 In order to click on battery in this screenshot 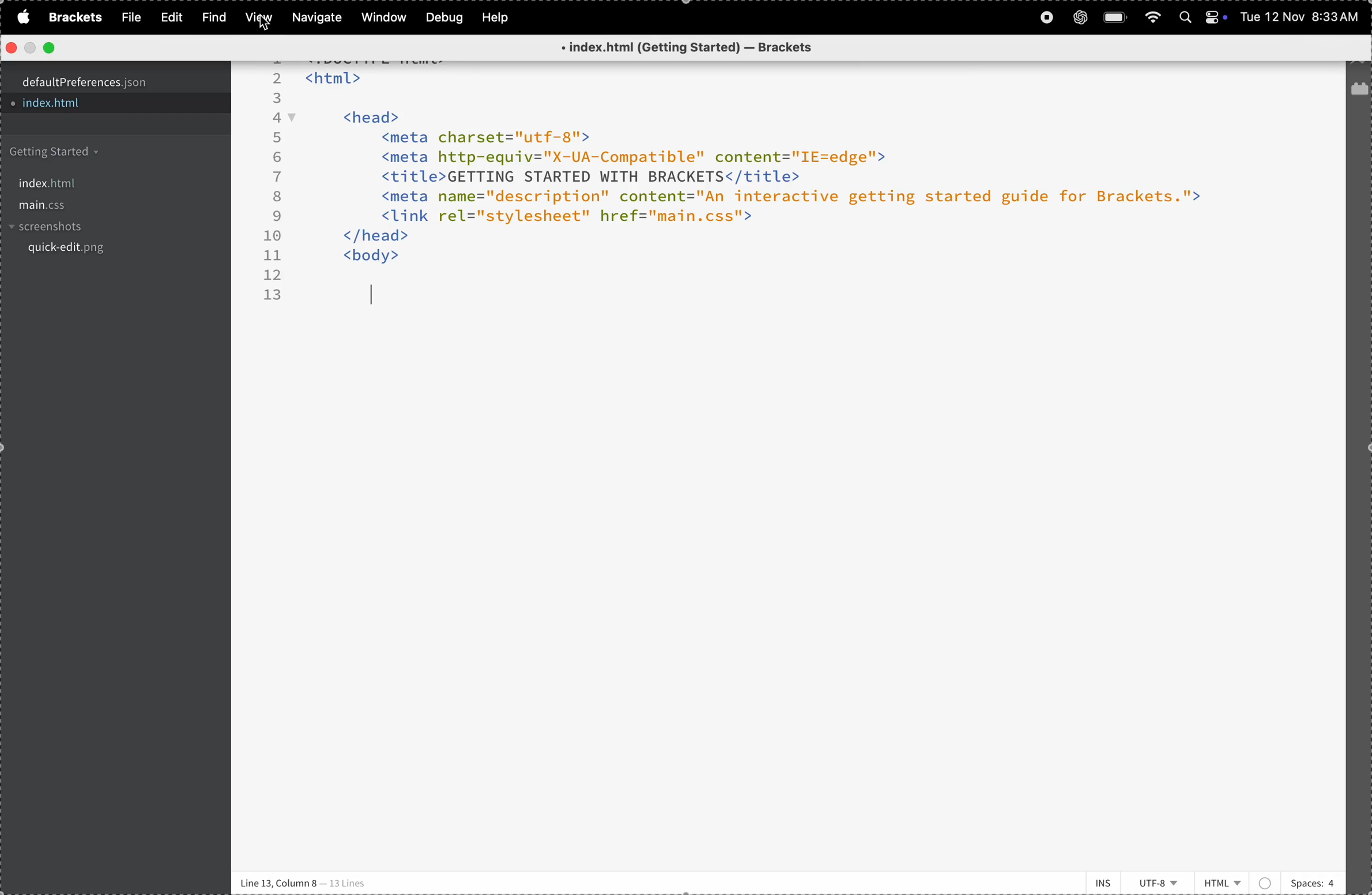, I will do `click(1116, 17)`.